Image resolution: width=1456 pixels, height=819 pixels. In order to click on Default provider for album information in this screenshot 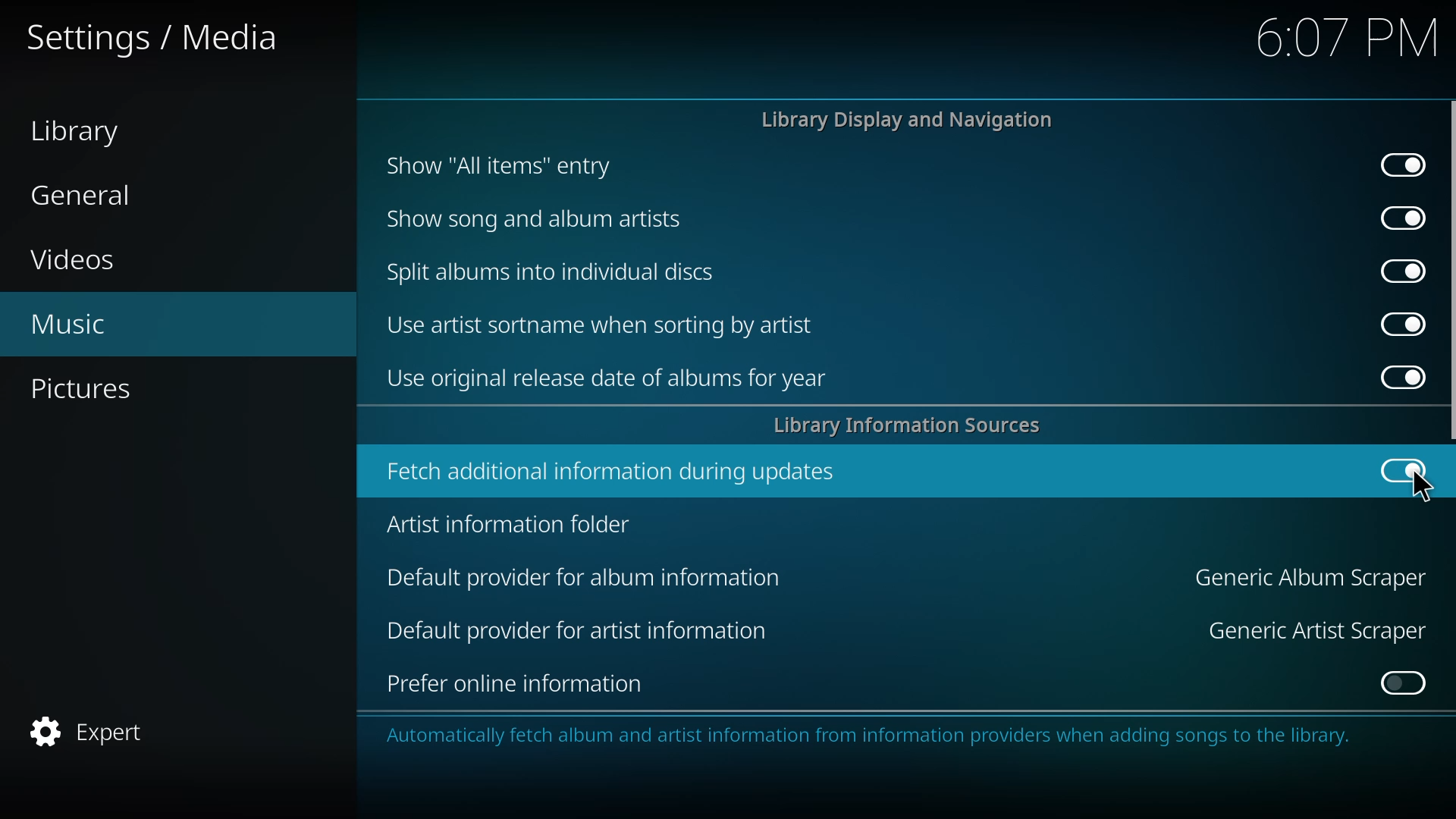, I will do `click(595, 583)`.